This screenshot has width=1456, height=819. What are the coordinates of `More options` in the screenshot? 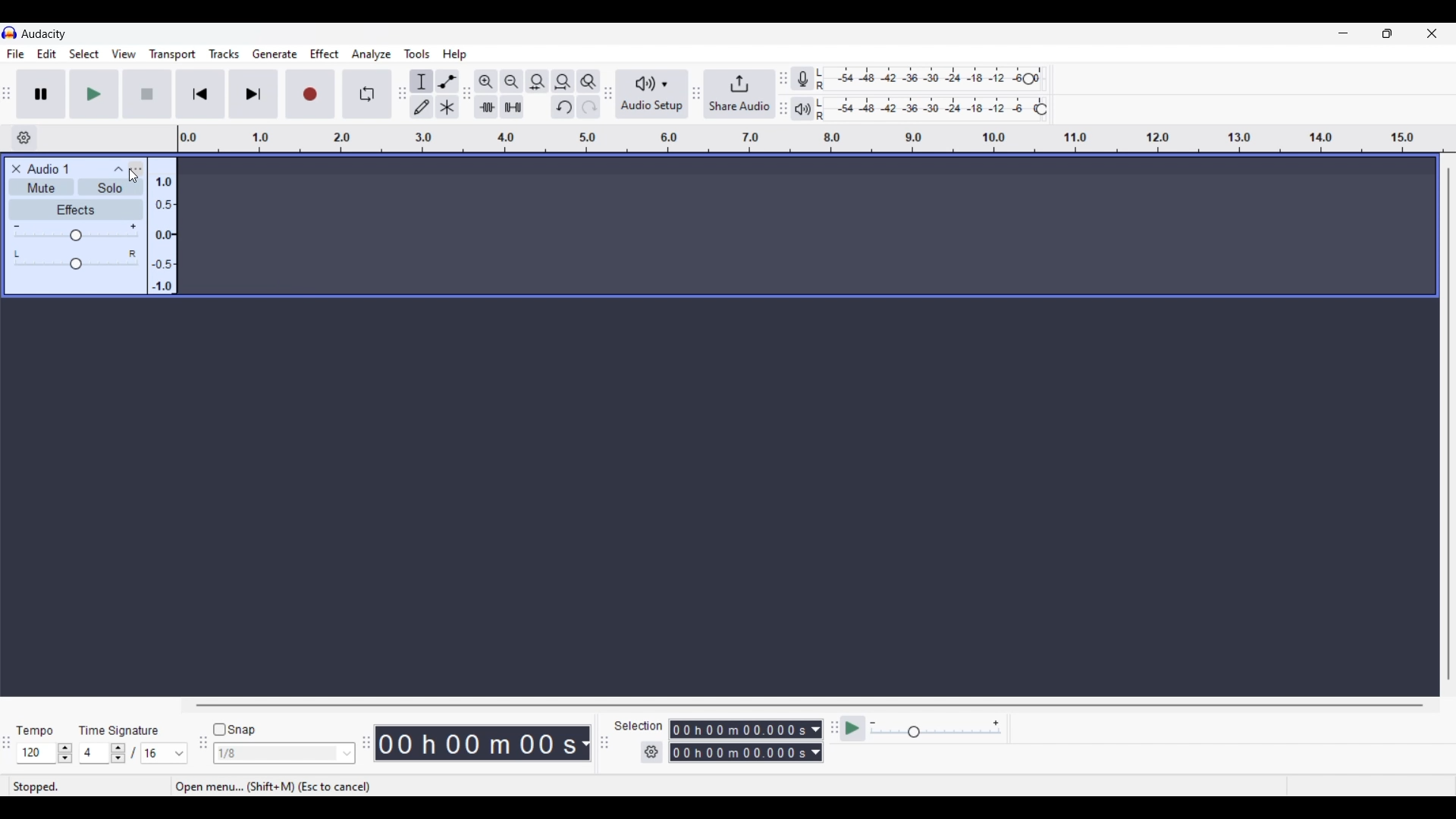 It's located at (124, 168).